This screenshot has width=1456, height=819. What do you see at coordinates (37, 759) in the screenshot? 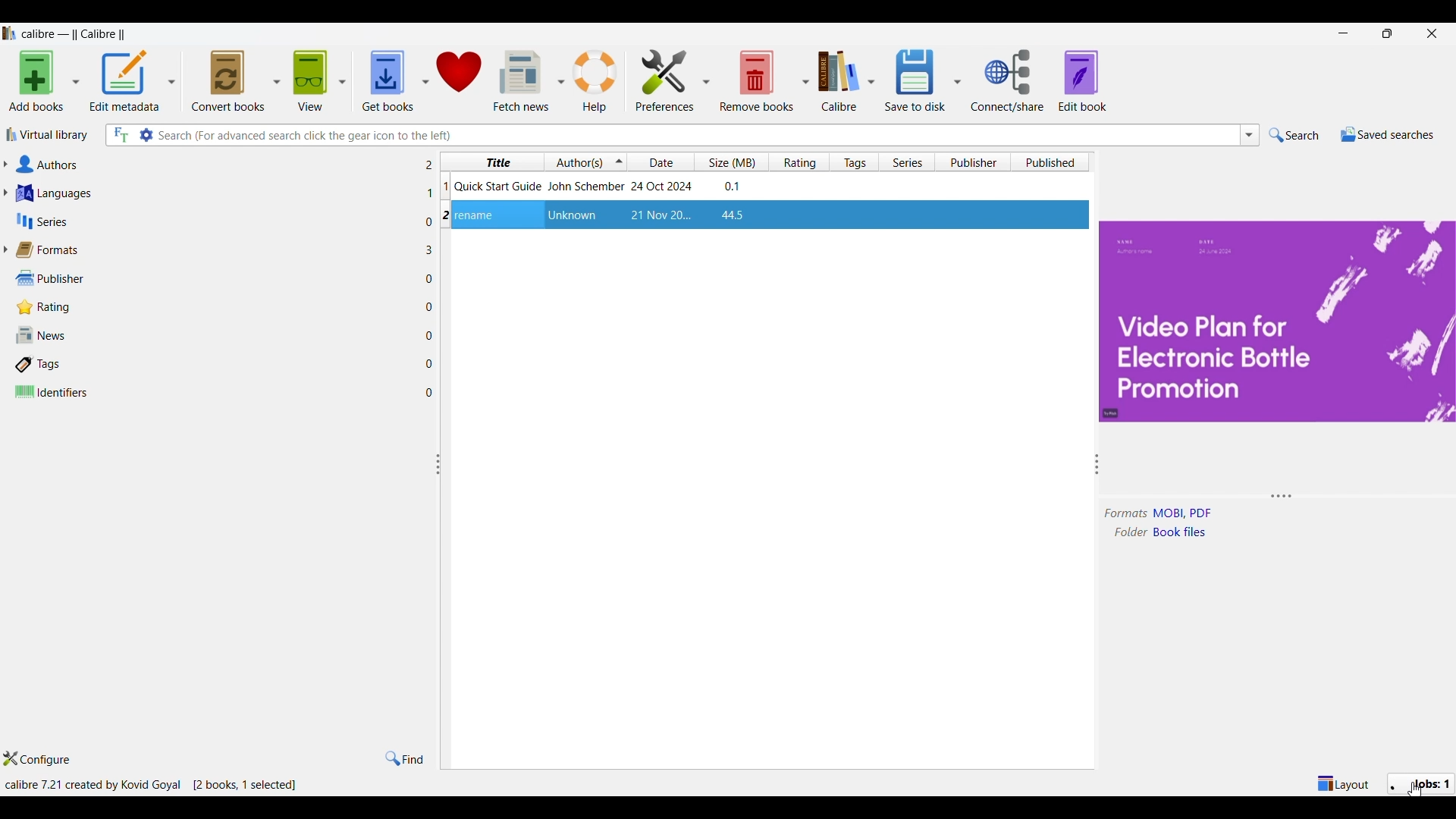
I see `Configure` at bounding box center [37, 759].